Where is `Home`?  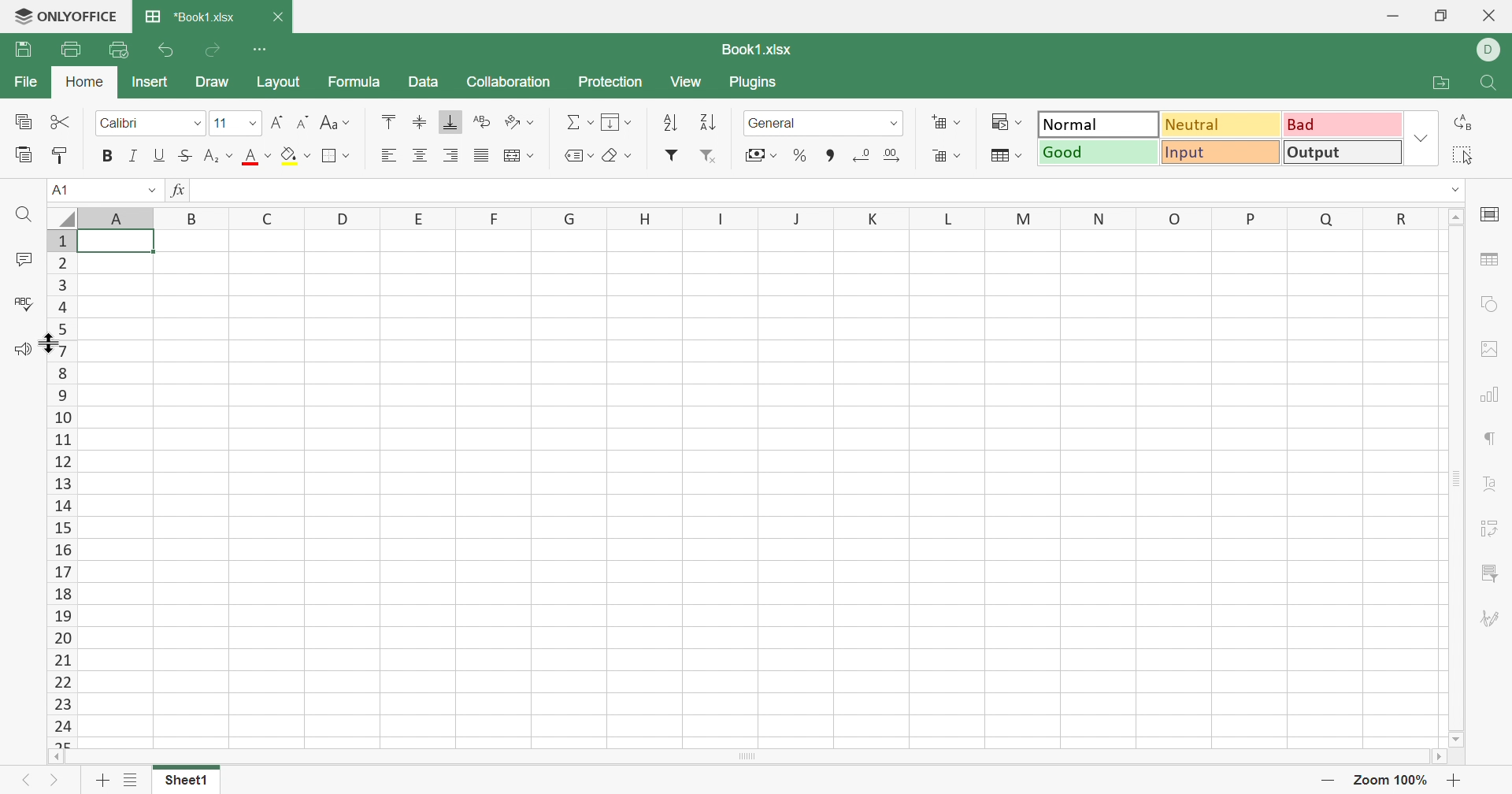 Home is located at coordinates (88, 82).